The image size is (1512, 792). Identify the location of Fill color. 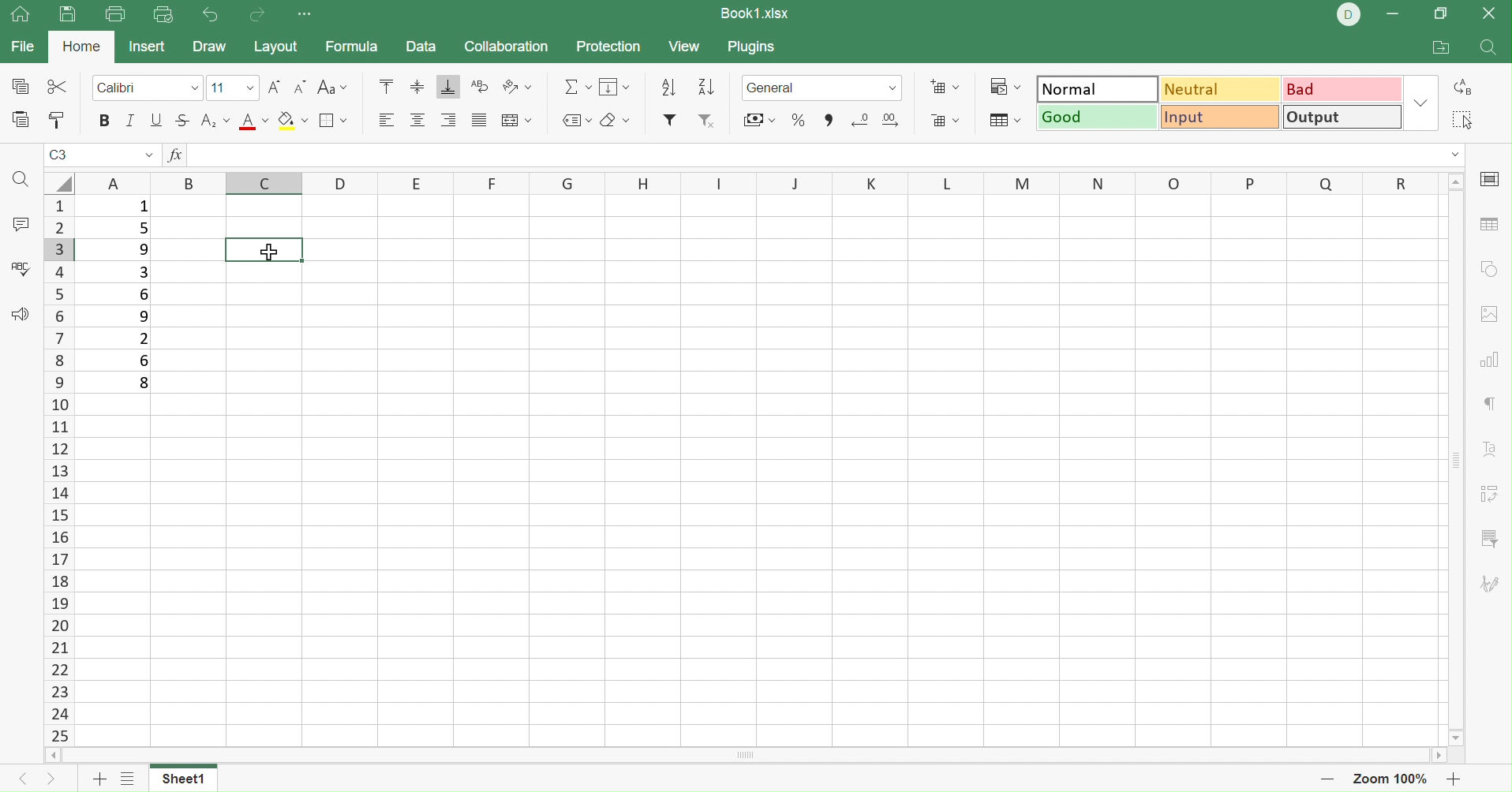
(291, 119).